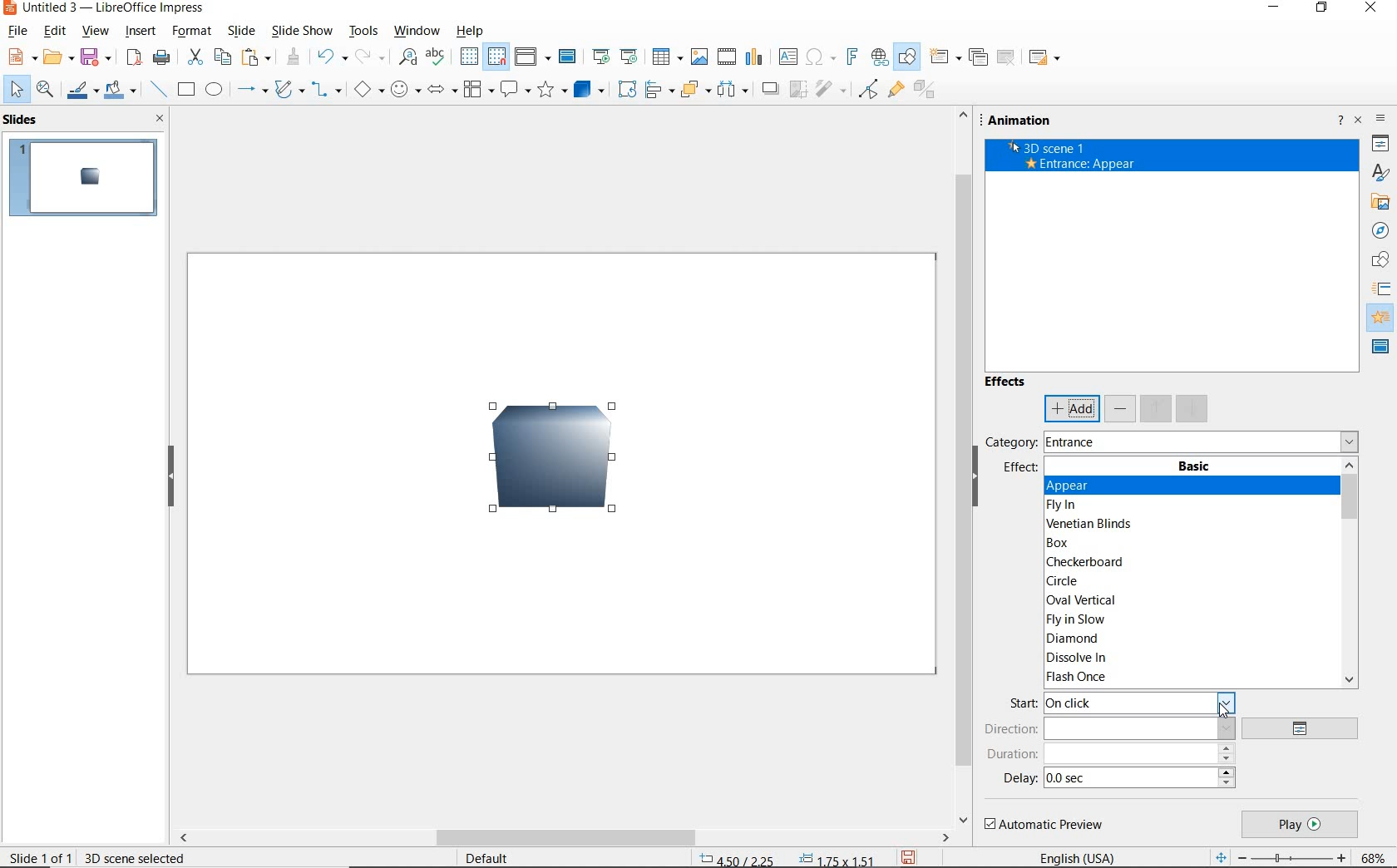 This screenshot has width=1397, height=868. Describe the element at coordinates (1380, 145) in the screenshot. I see `PROPERTIES` at that location.